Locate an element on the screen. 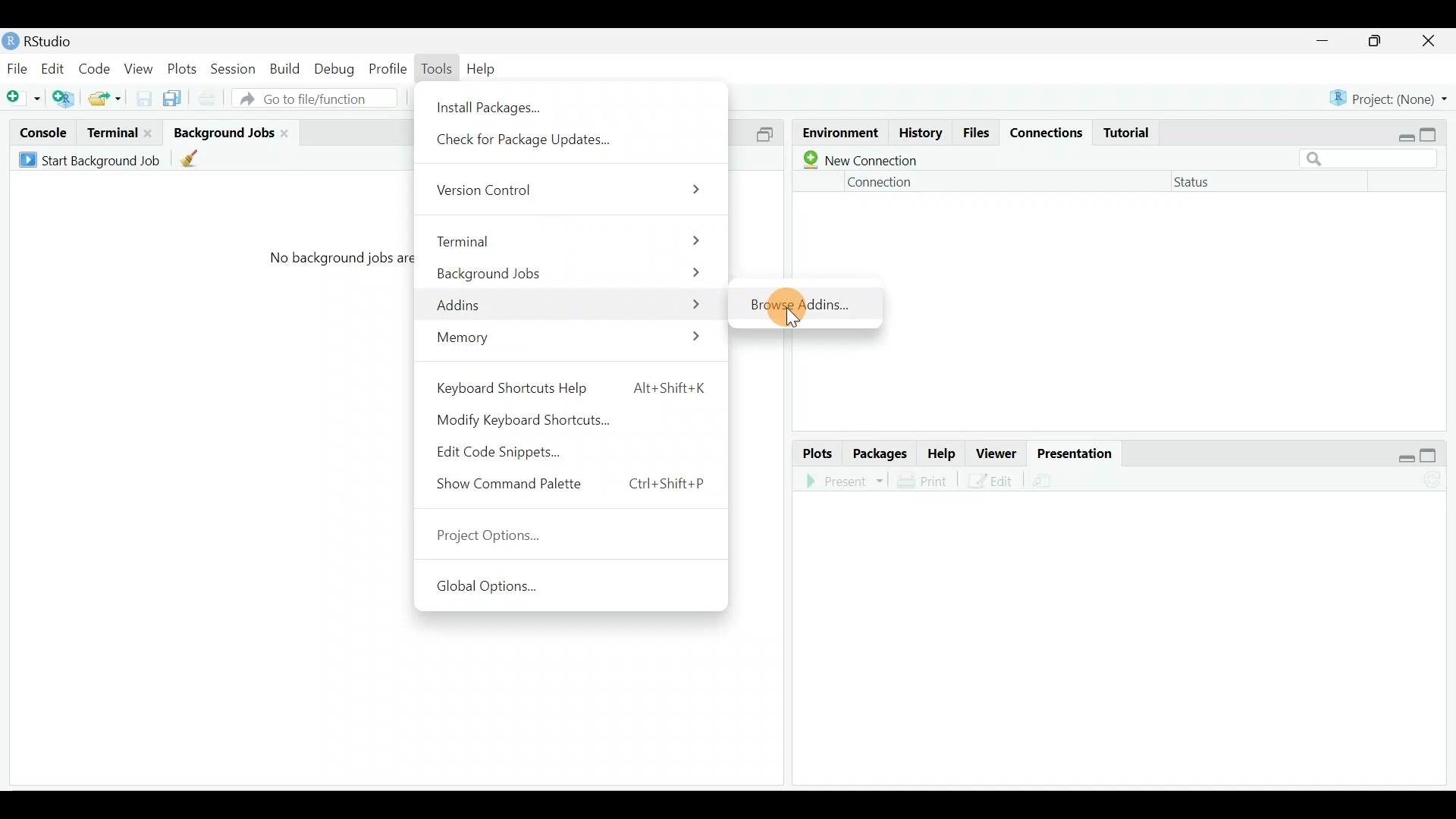 Image resolution: width=1456 pixels, height=819 pixels. Plots is located at coordinates (185, 69).